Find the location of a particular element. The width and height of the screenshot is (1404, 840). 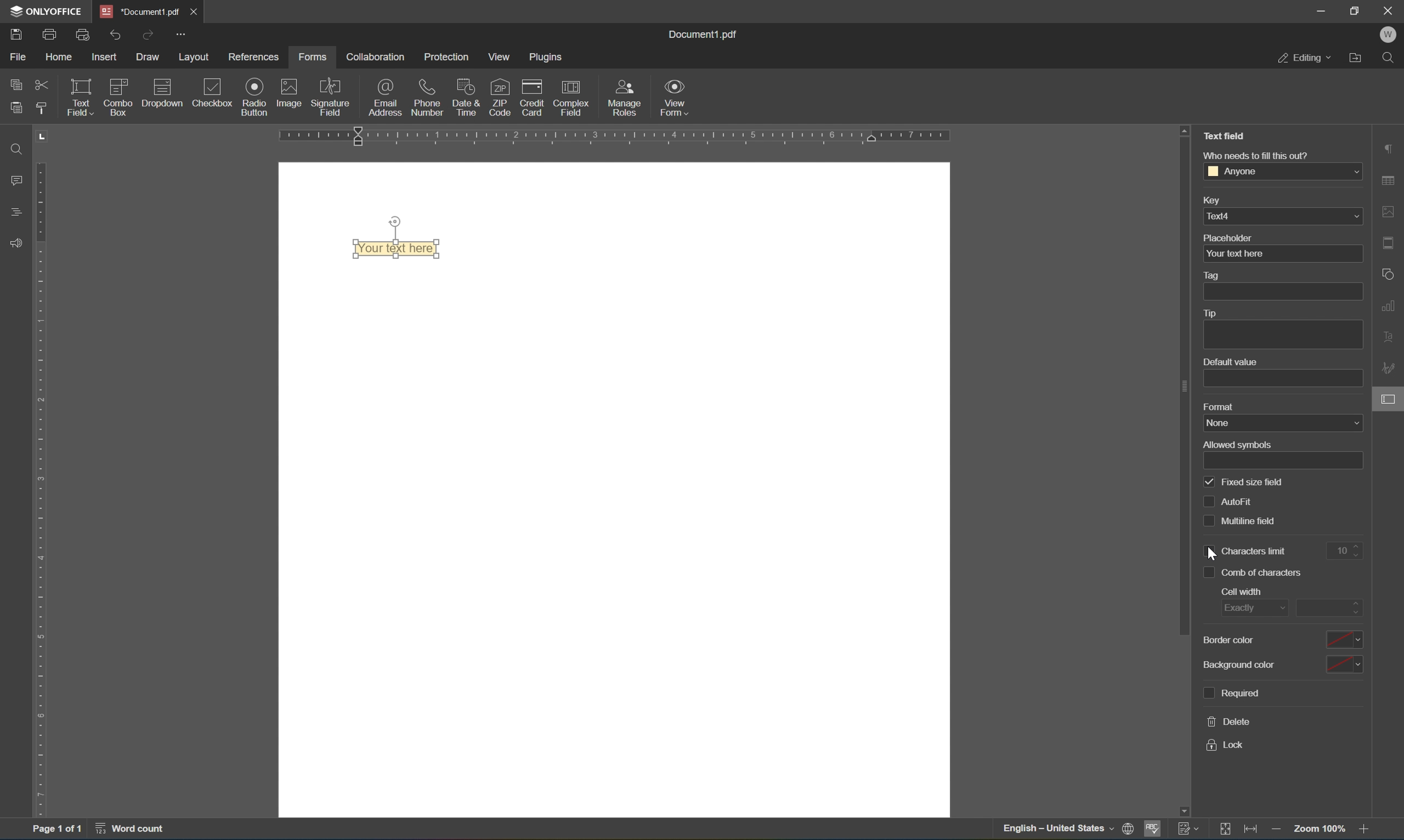

Find is located at coordinates (1390, 60).